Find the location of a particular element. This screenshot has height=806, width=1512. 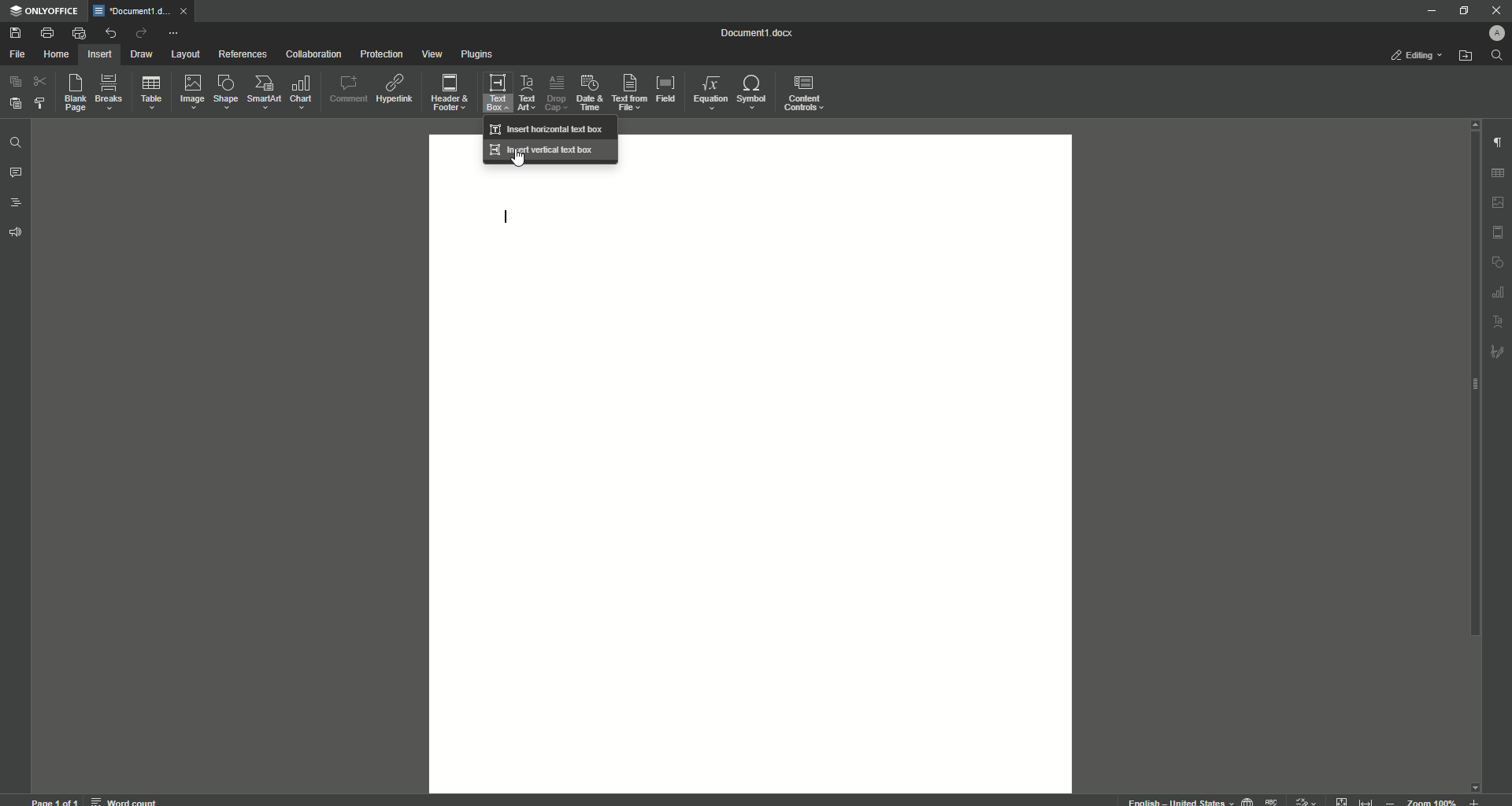

Print is located at coordinates (46, 33).